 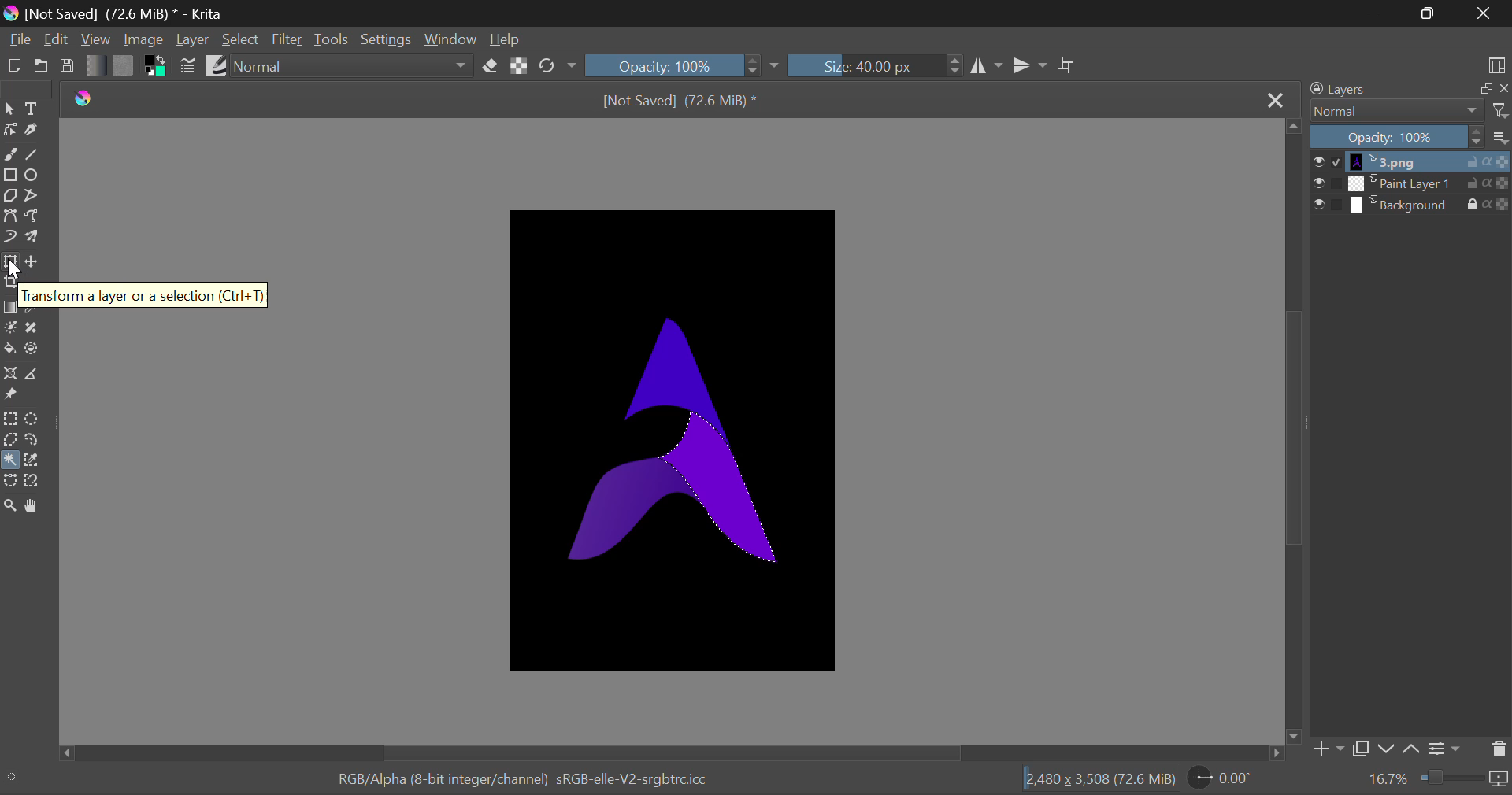 What do you see at coordinates (524, 780) in the screenshot?
I see `RGB/Alpha (8-bit integer/channel) sRGB-elle-V2-srgbtrcicc` at bounding box center [524, 780].